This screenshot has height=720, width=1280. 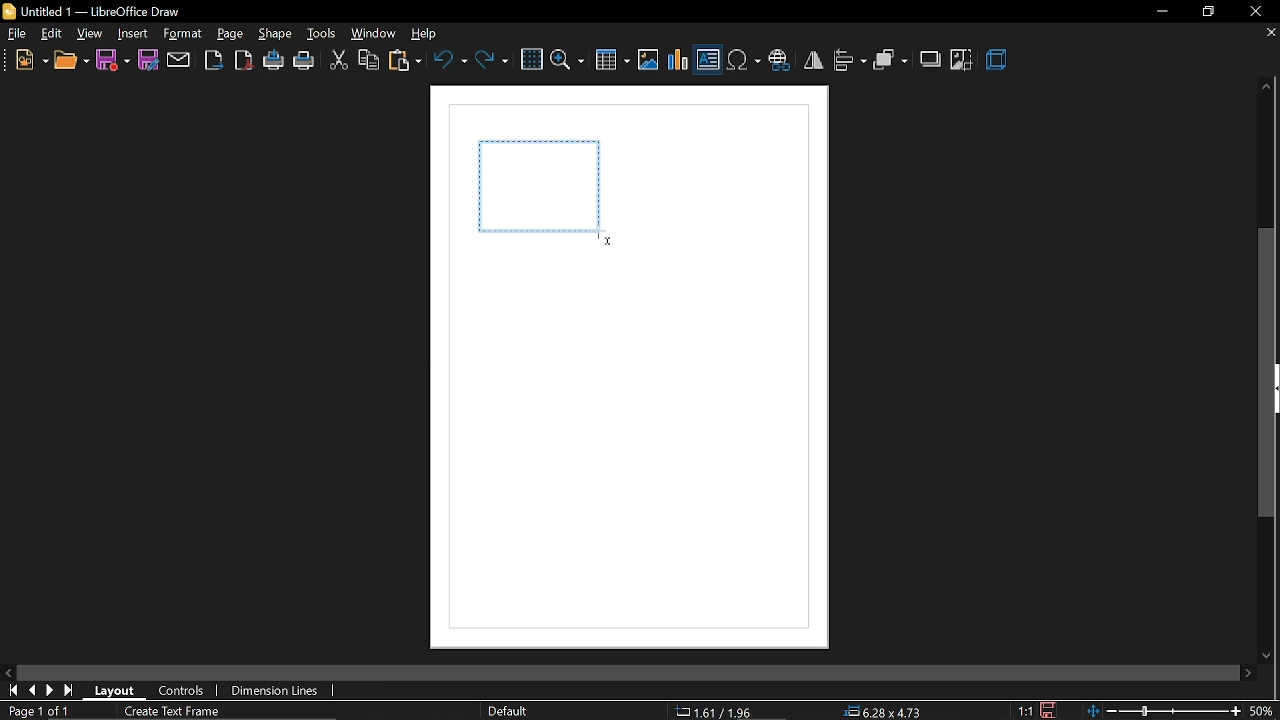 What do you see at coordinates (450, 59) in the screenshot?
I see `undo` at bounding box center [450, 59].